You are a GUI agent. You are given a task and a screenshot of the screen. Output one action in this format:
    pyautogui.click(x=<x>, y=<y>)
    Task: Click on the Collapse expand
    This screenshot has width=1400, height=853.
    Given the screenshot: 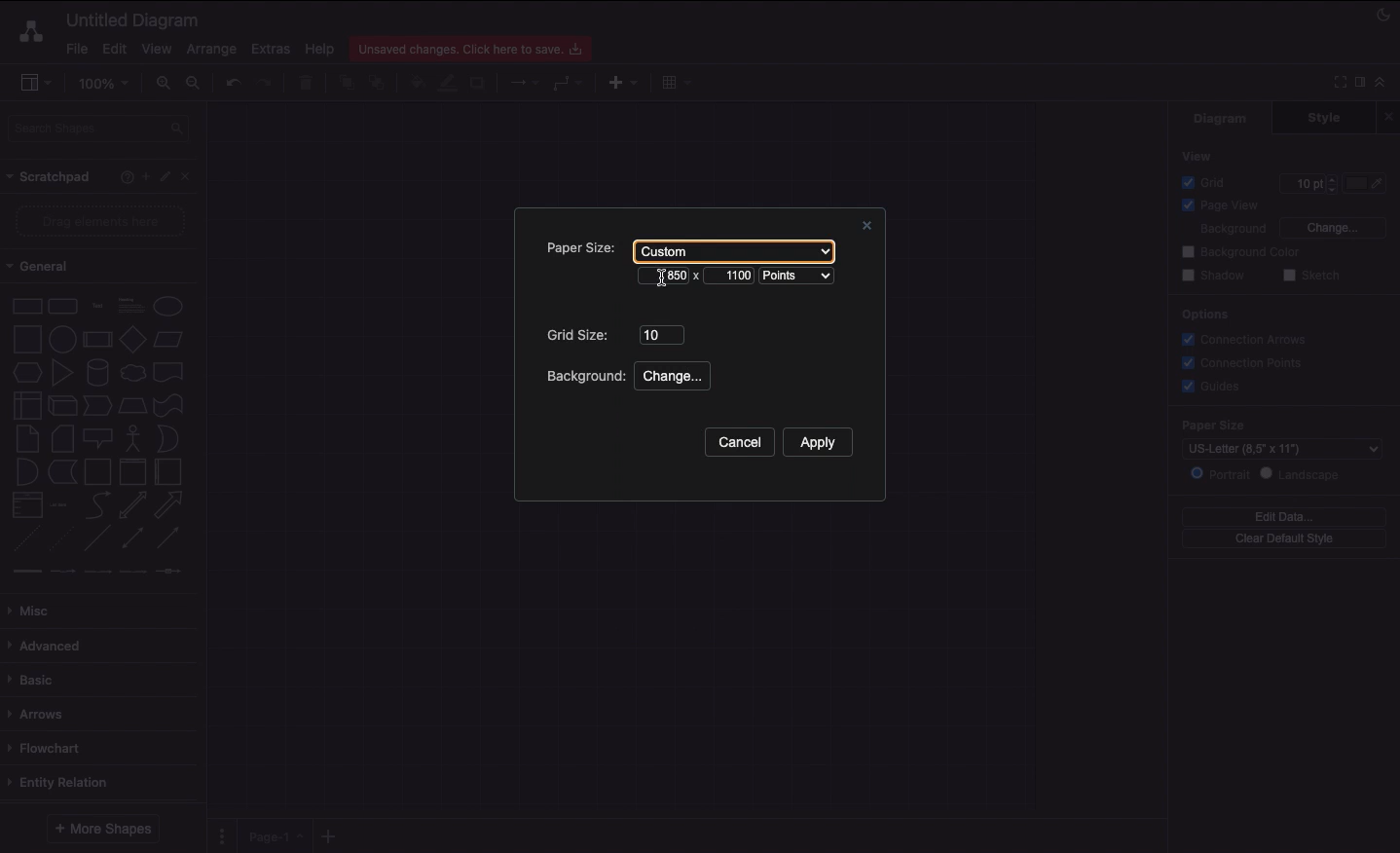 What is the action you would take?
    pyautogui.click(x=1385, y=87)
    